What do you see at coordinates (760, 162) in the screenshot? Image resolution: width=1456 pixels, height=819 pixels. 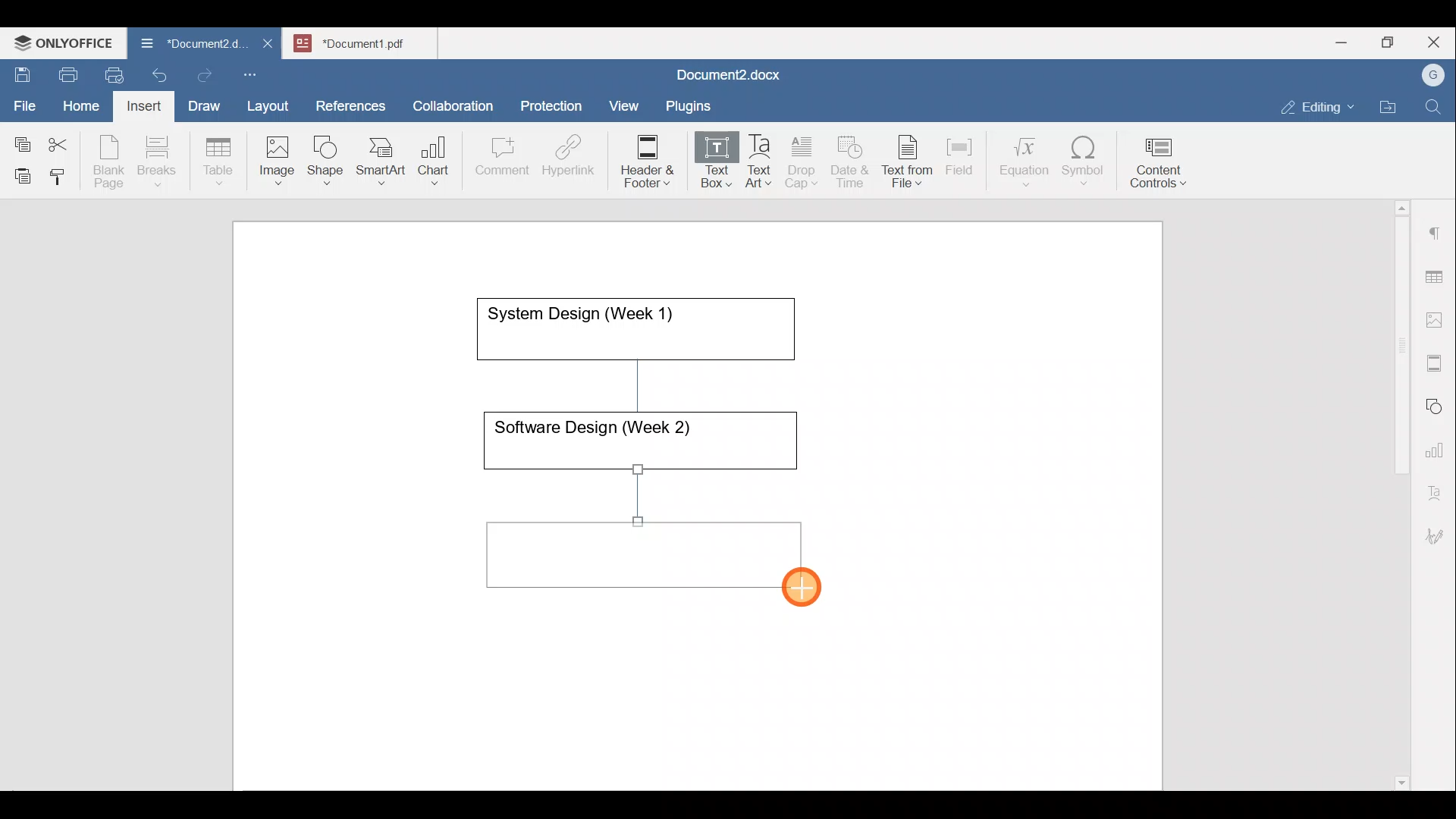 I see `Text Art` at bounding box center [760, 162].